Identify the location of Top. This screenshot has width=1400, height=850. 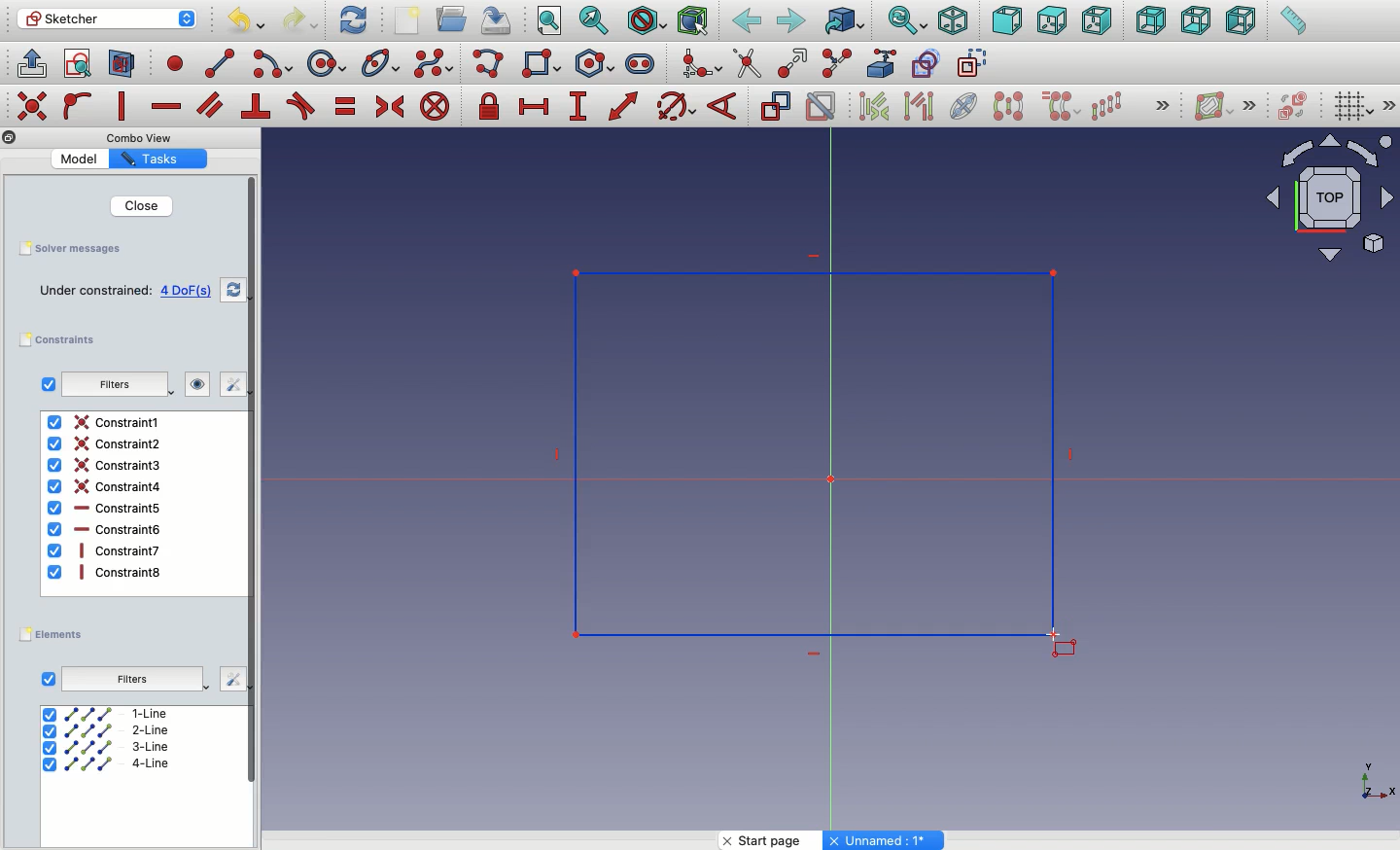
(1051, 21).